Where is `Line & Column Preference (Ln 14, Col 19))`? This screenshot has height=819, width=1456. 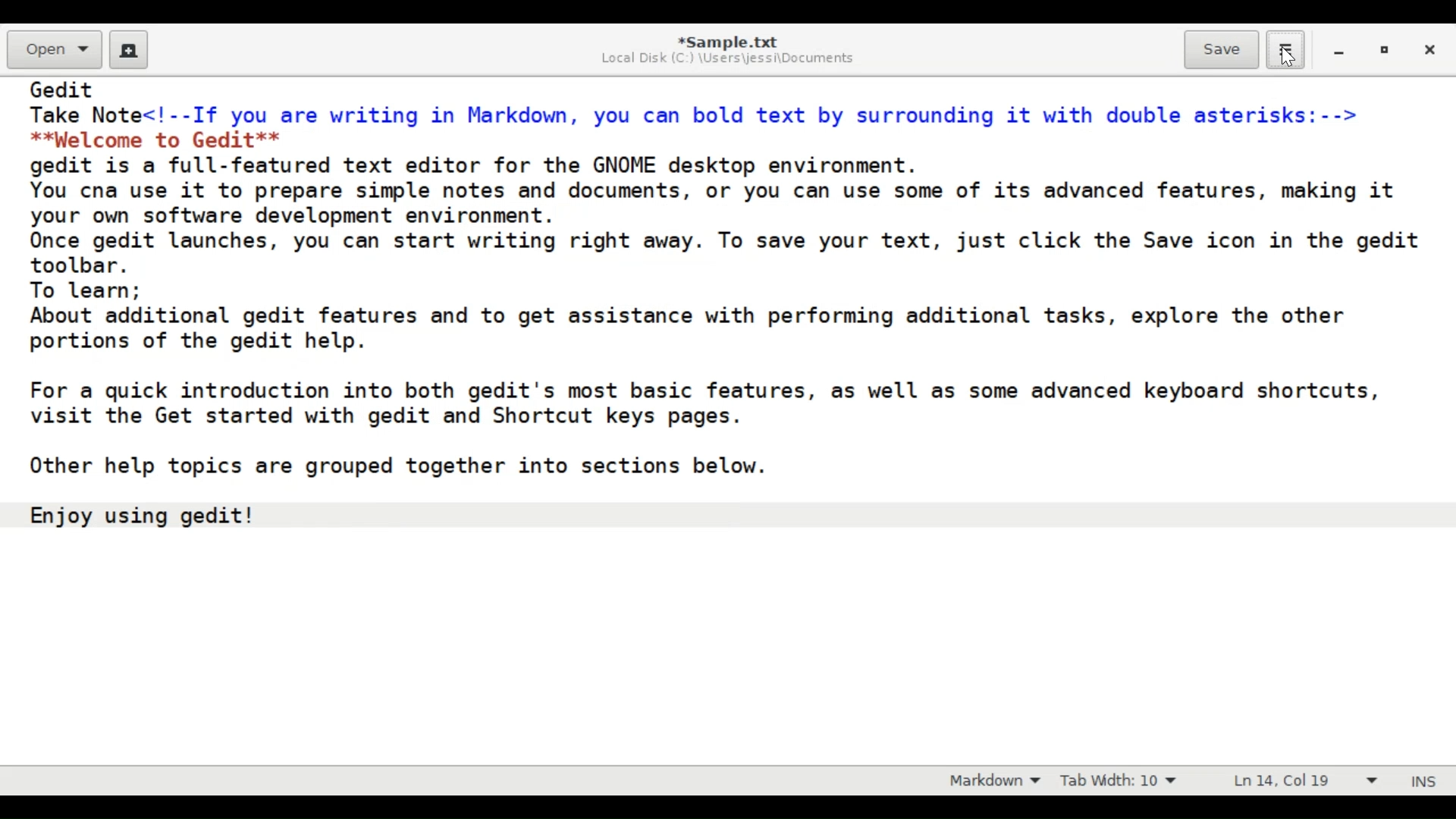
Line & Column Preference (Ln 14, Col 19)) is located at coordinates (1307, 781).